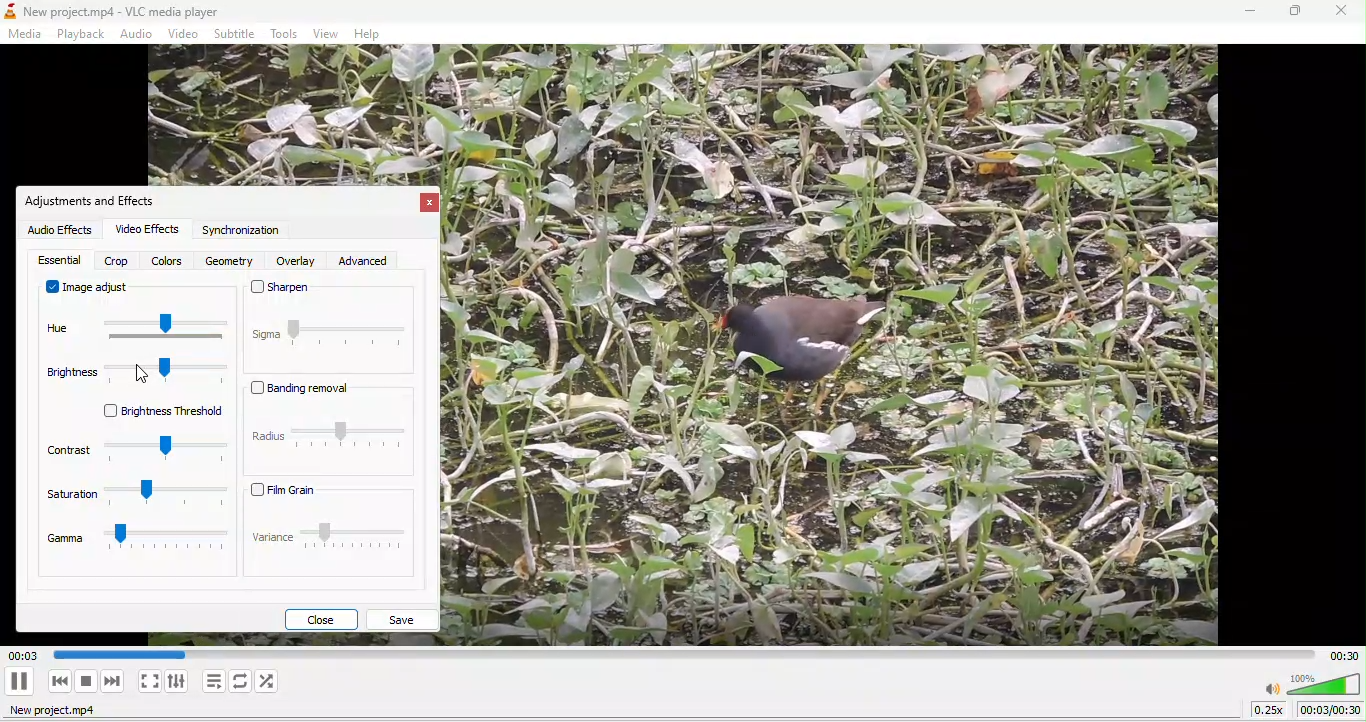  Describe the element at coordinates (1311, 684) in the screenshot. I see `speakers` at that location.